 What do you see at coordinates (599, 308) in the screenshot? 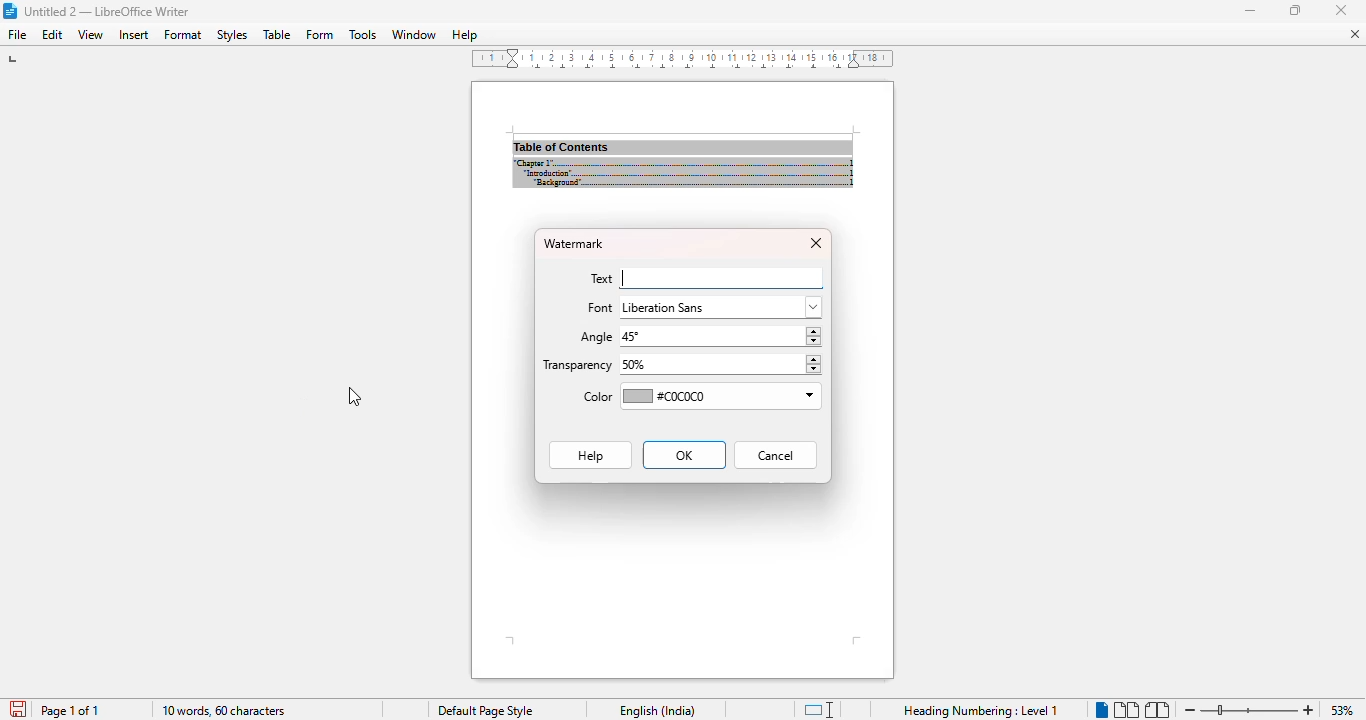
I see `font` at bounding box center [599, 308].